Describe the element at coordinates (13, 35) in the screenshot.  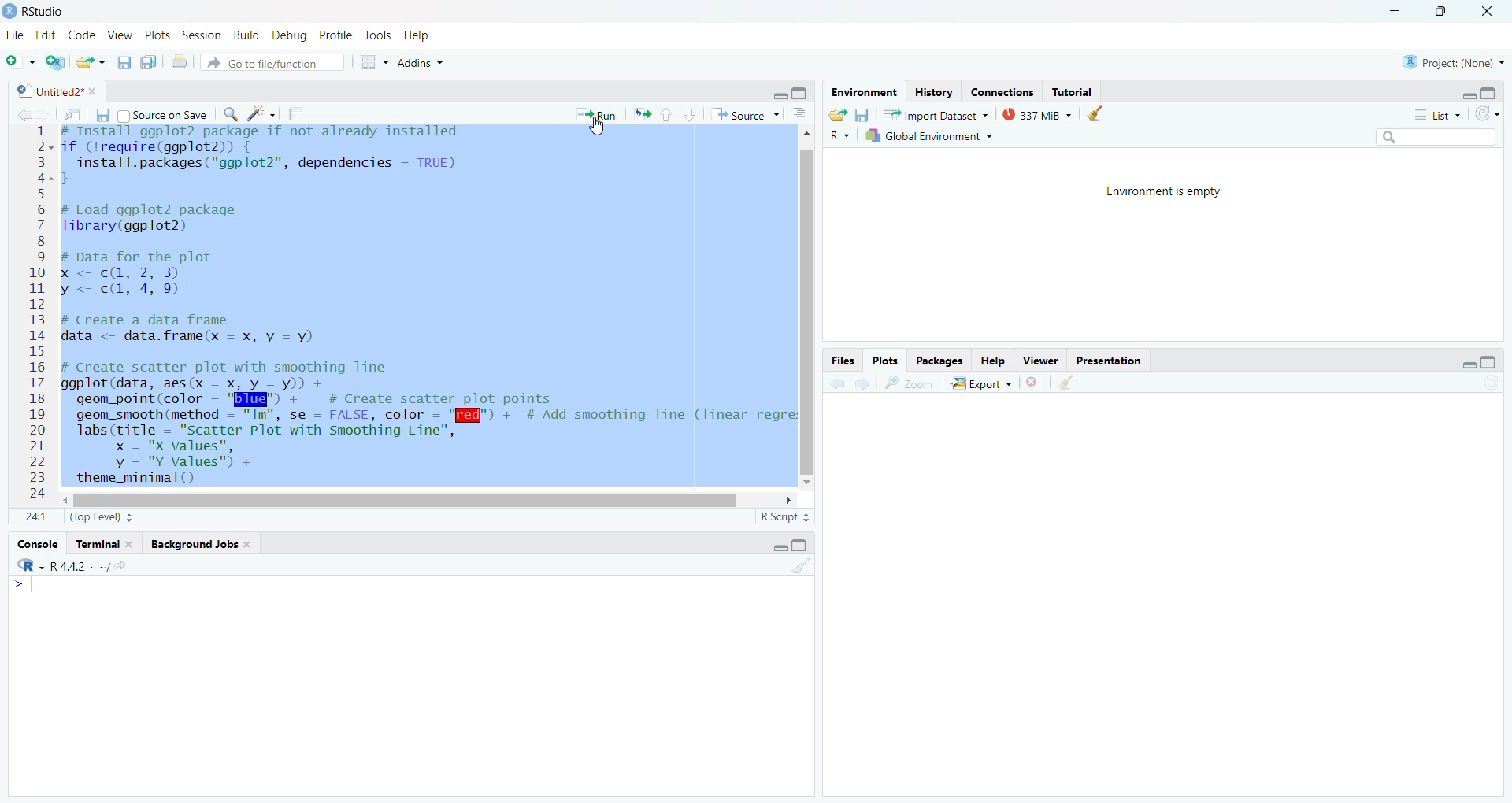
I see `File` at that location.